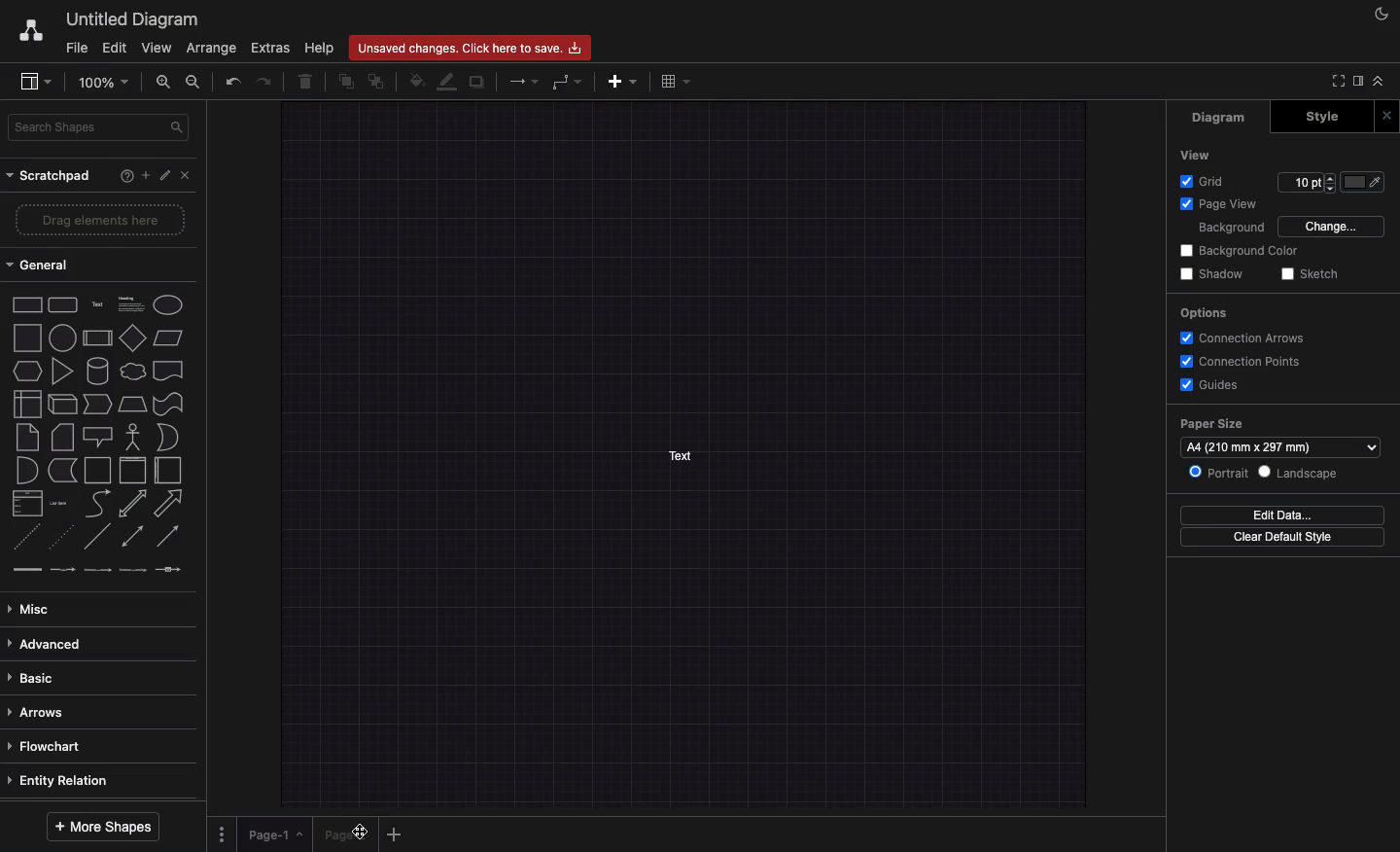 The image size is (1400, 852). I want to click on Page view, so click(1220, 204).